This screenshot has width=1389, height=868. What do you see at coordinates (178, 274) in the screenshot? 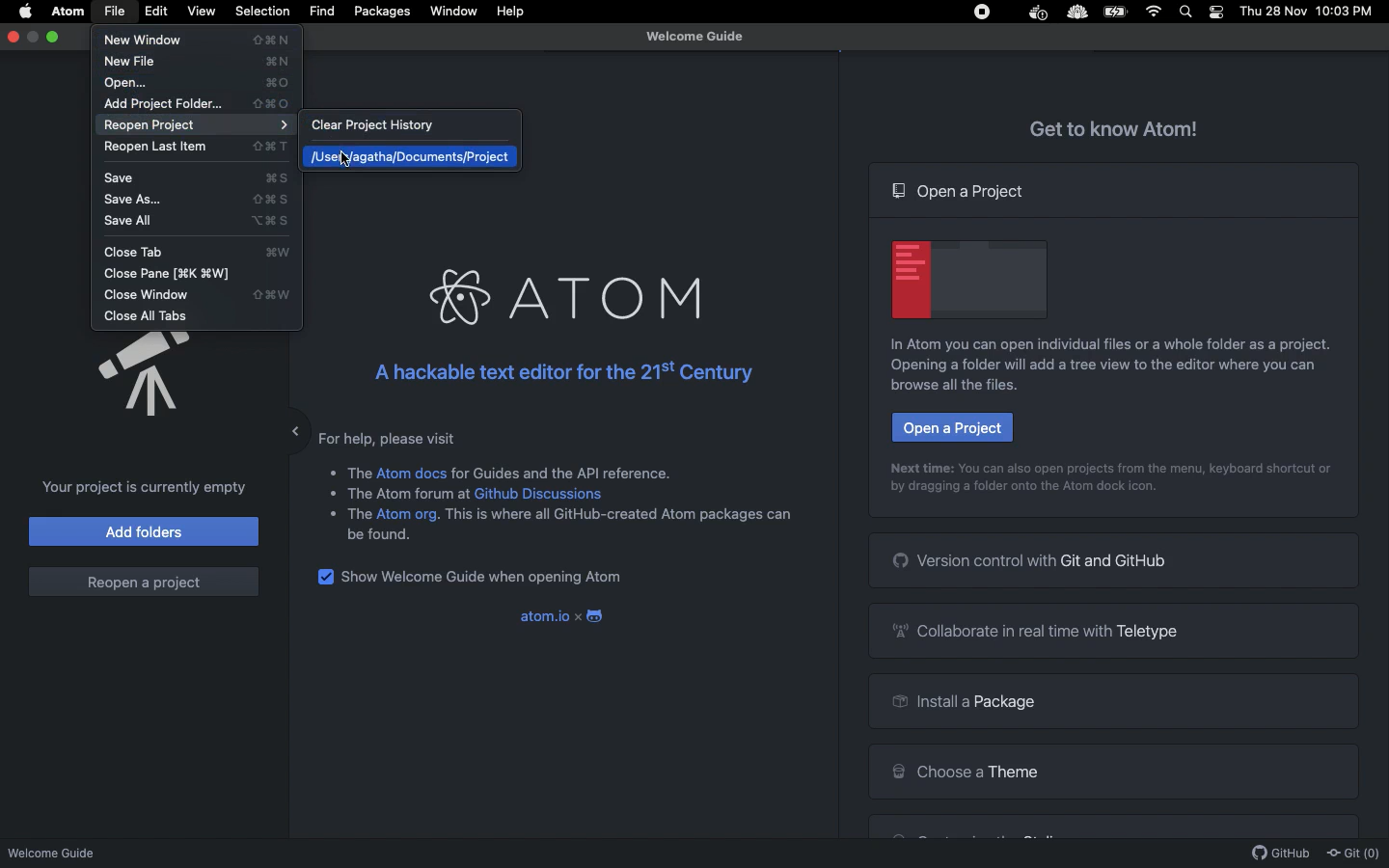
I see `Close pane` at bounding box center [178, 274].